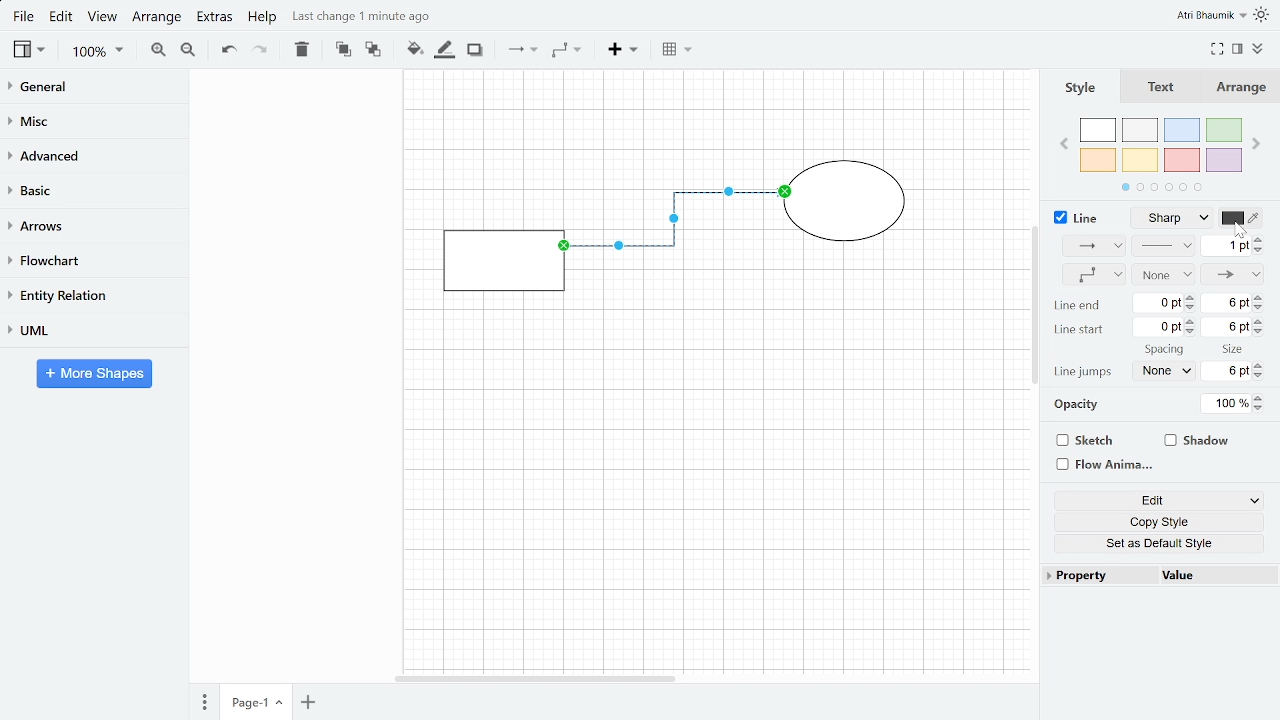 The width and height of the screenshot is (1280, 720). What do you see at coordinates (1227, 327) in the screenshot?
I see `Current line start size` at bounding box center [1227, 327].